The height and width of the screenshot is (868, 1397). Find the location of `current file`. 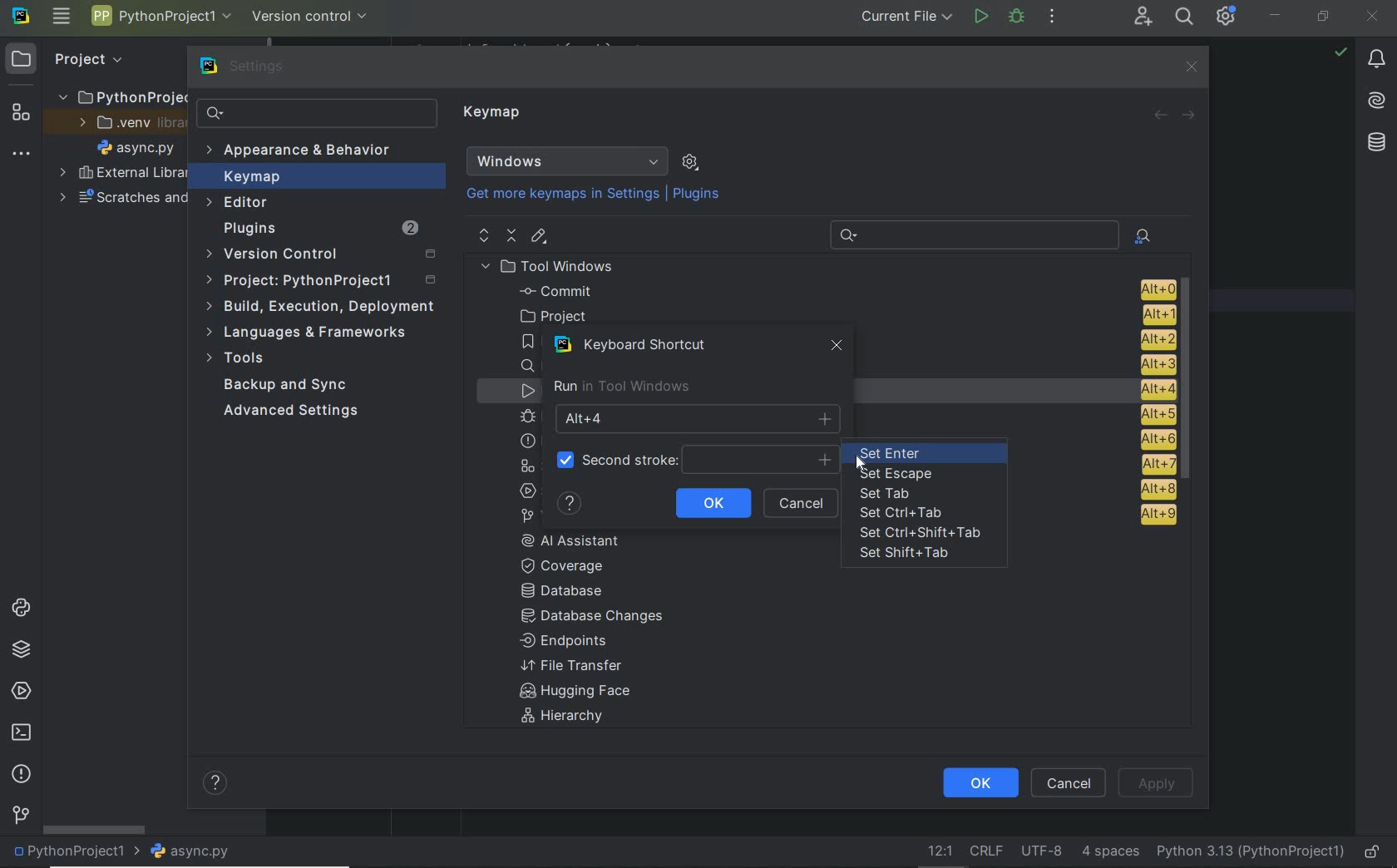

current file is located at coordinates (901, 18).